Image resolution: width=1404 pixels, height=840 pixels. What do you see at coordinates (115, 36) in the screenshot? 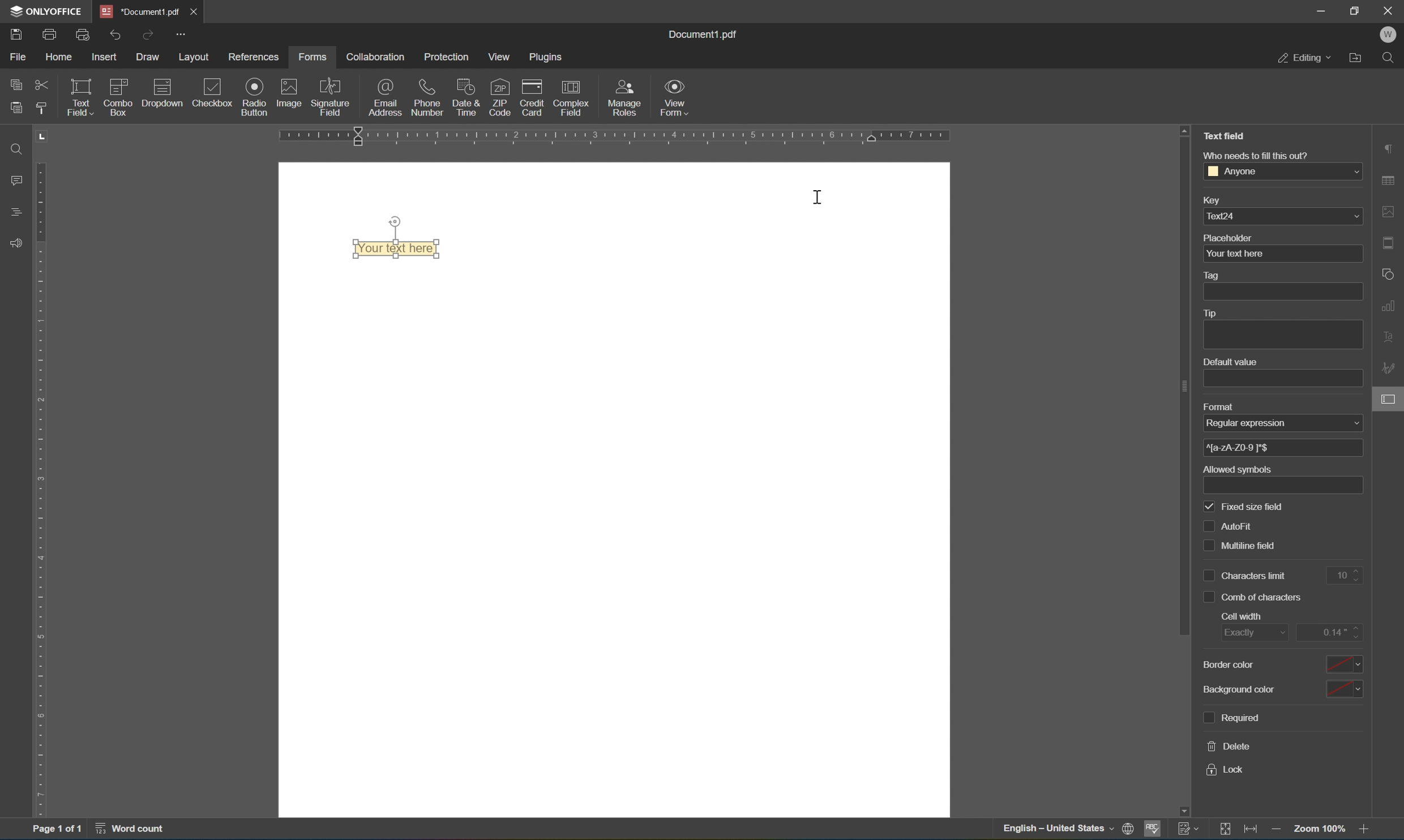
I see `undo` at bounding box center [115, 36].